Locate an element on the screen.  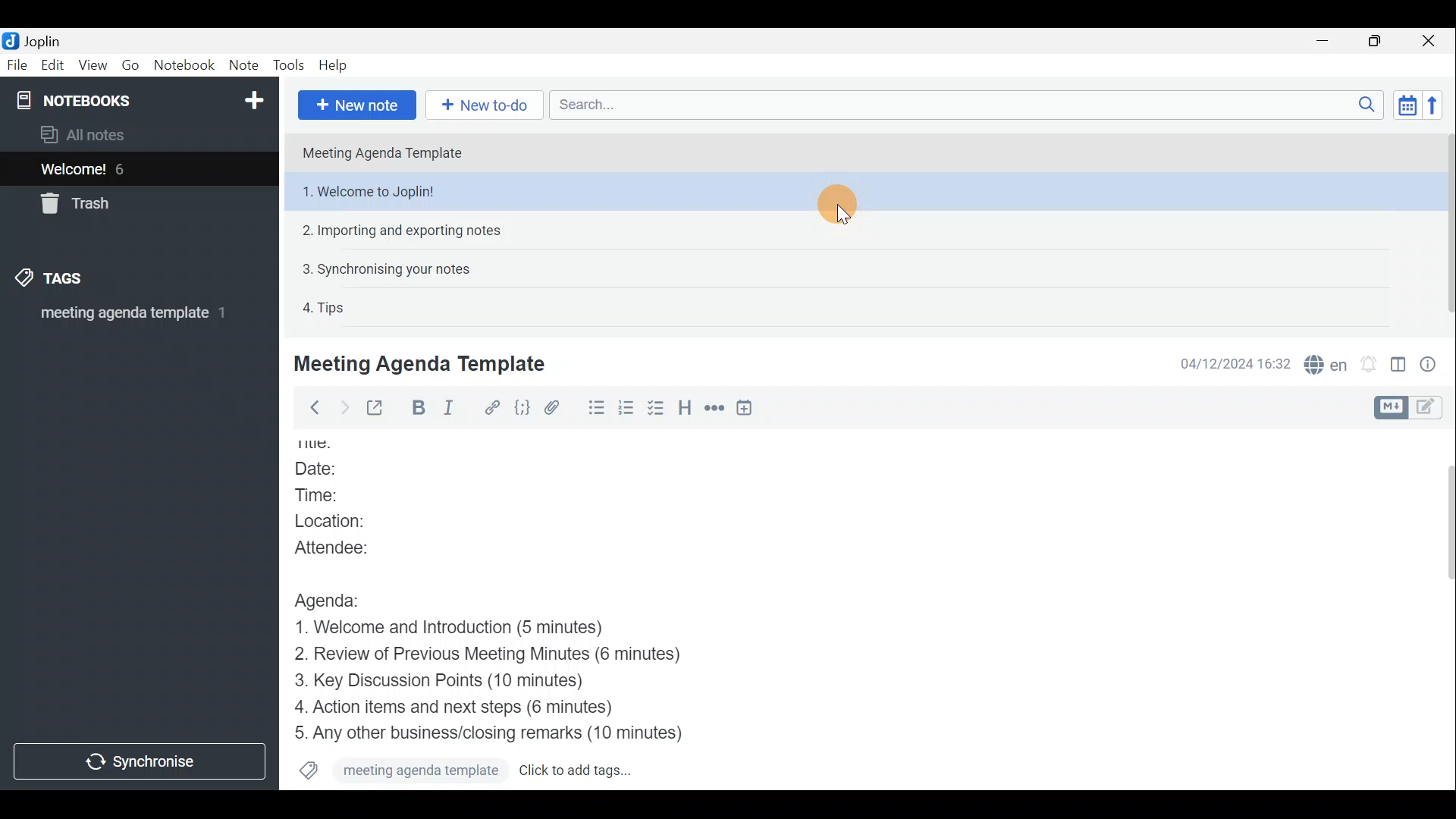
4. Action items and next steps (6 minutes) is located at coordinates (479, 706).